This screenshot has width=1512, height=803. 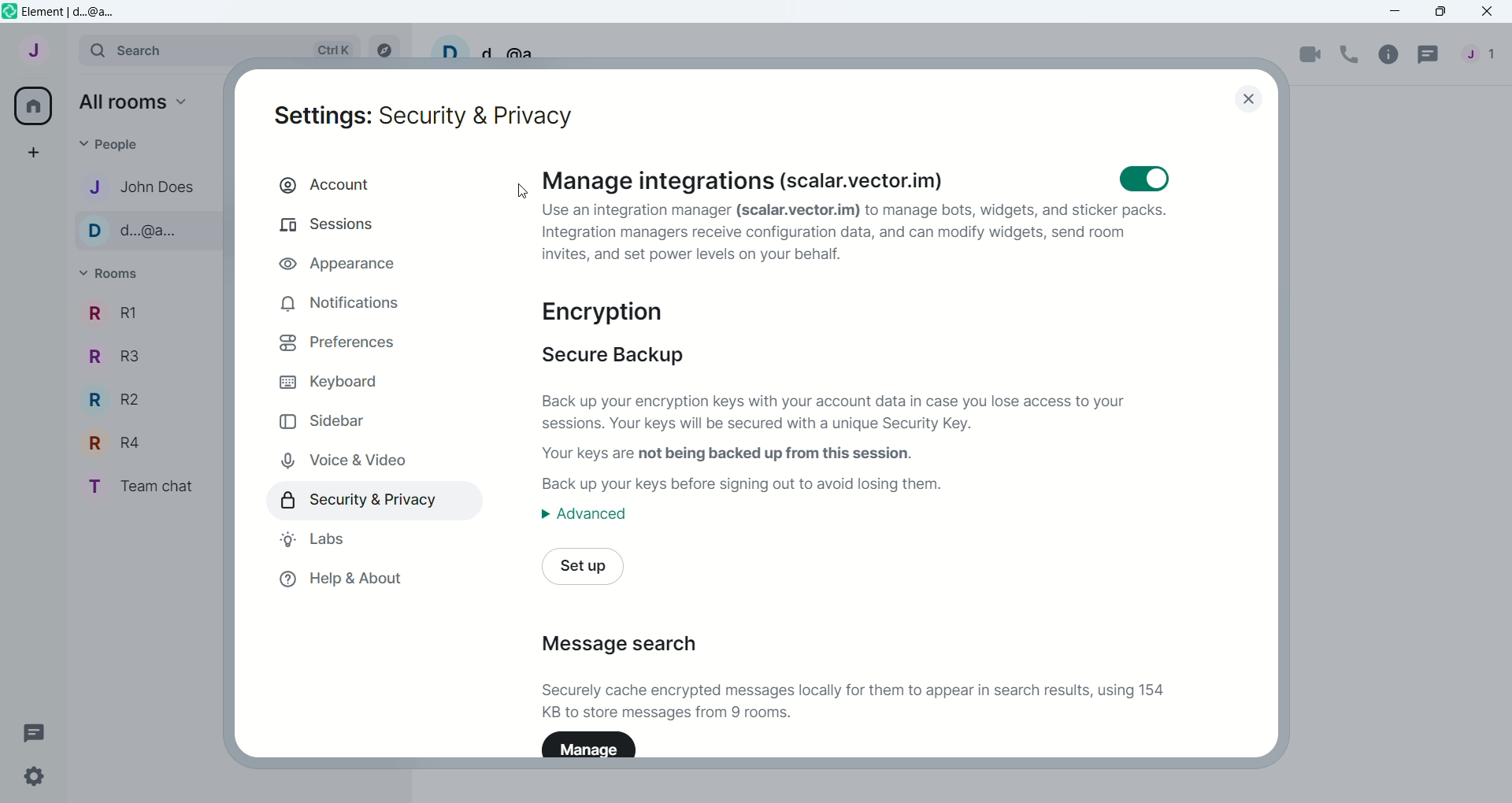 What do you see at coordinates (109, 274) in the screenshot?
I see `rooms` at bounding box center [109, 274].